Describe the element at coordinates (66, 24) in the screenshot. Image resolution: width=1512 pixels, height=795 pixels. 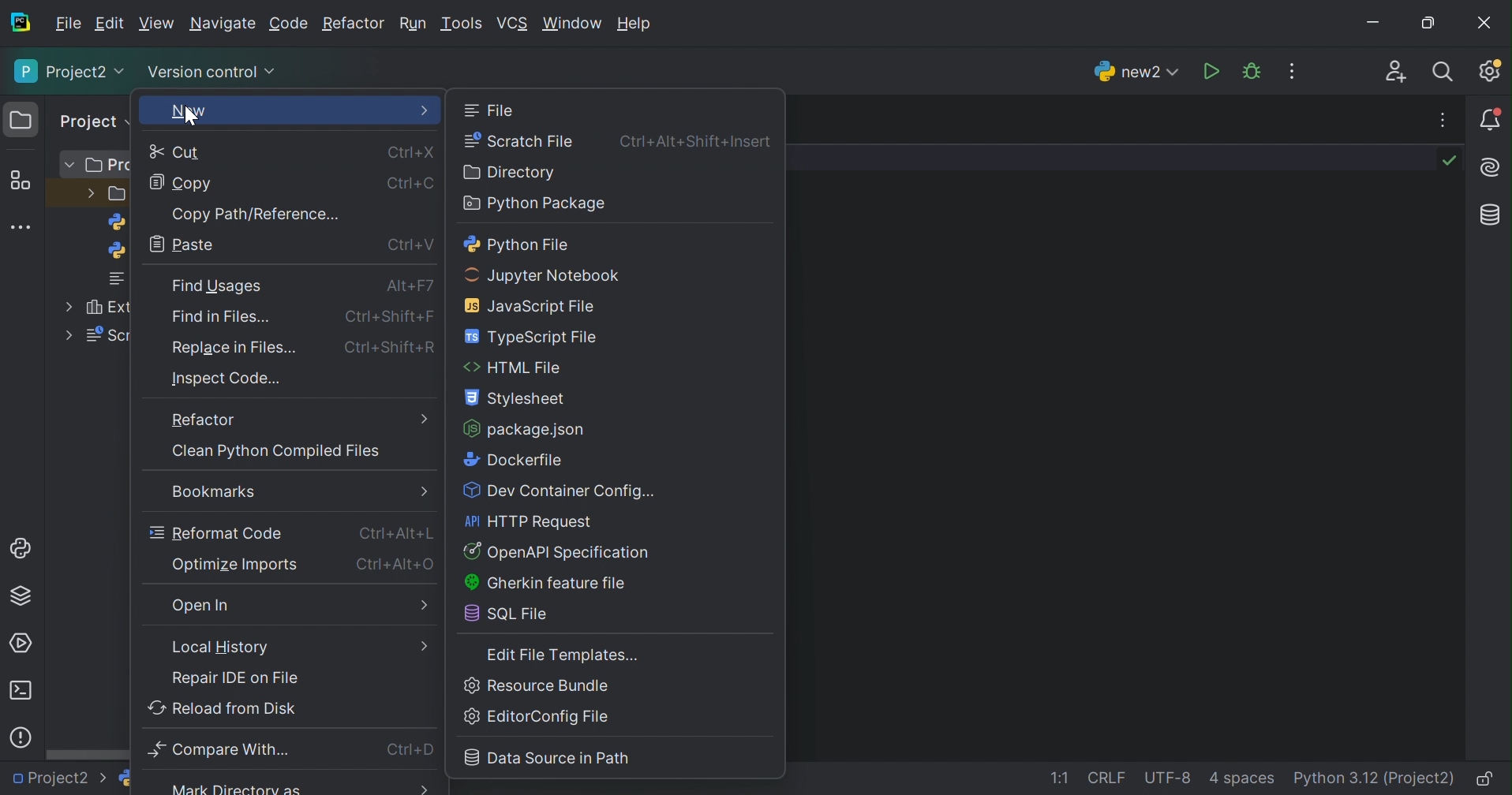
I see `File` at that location.